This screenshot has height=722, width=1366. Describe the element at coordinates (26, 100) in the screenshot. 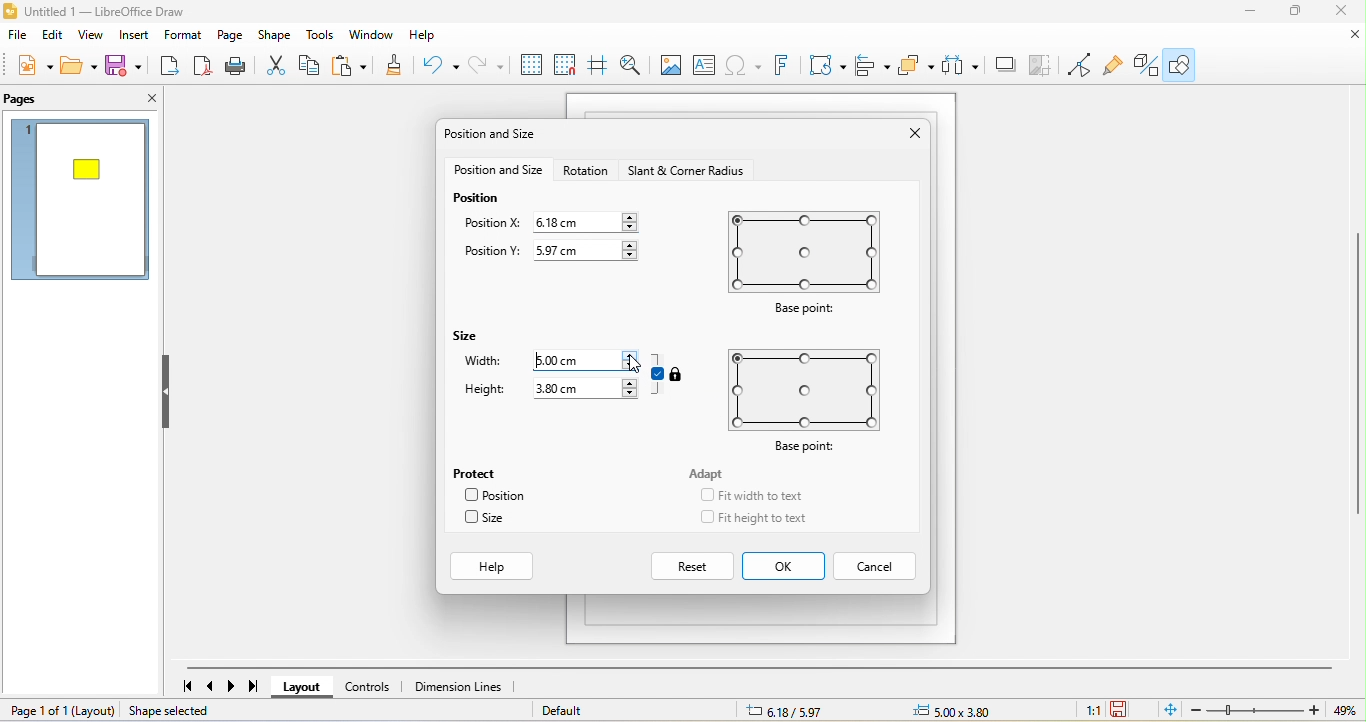

I see `pags` at that location.